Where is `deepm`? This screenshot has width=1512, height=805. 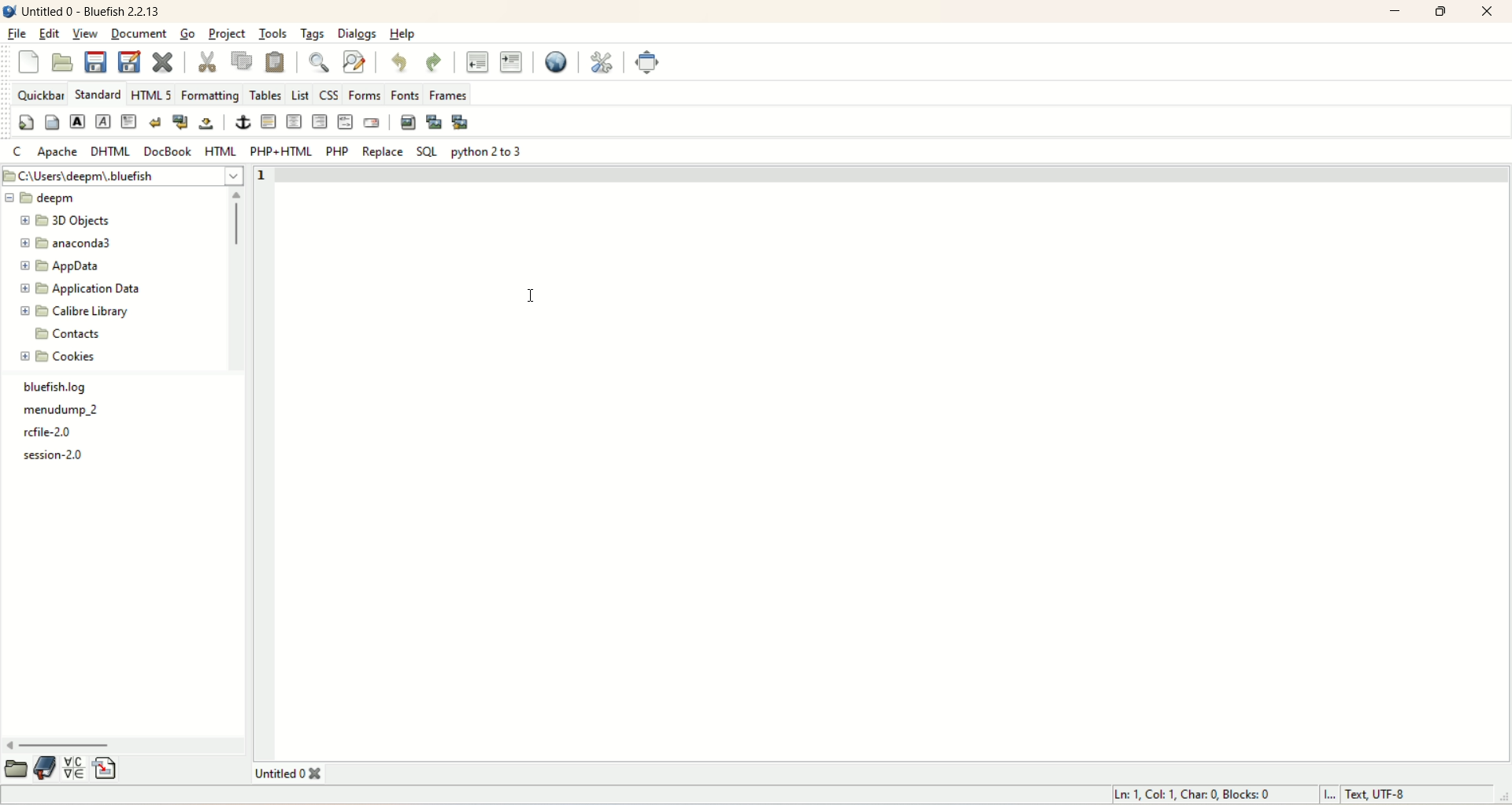
deepm is located at coordinates (45, 198).